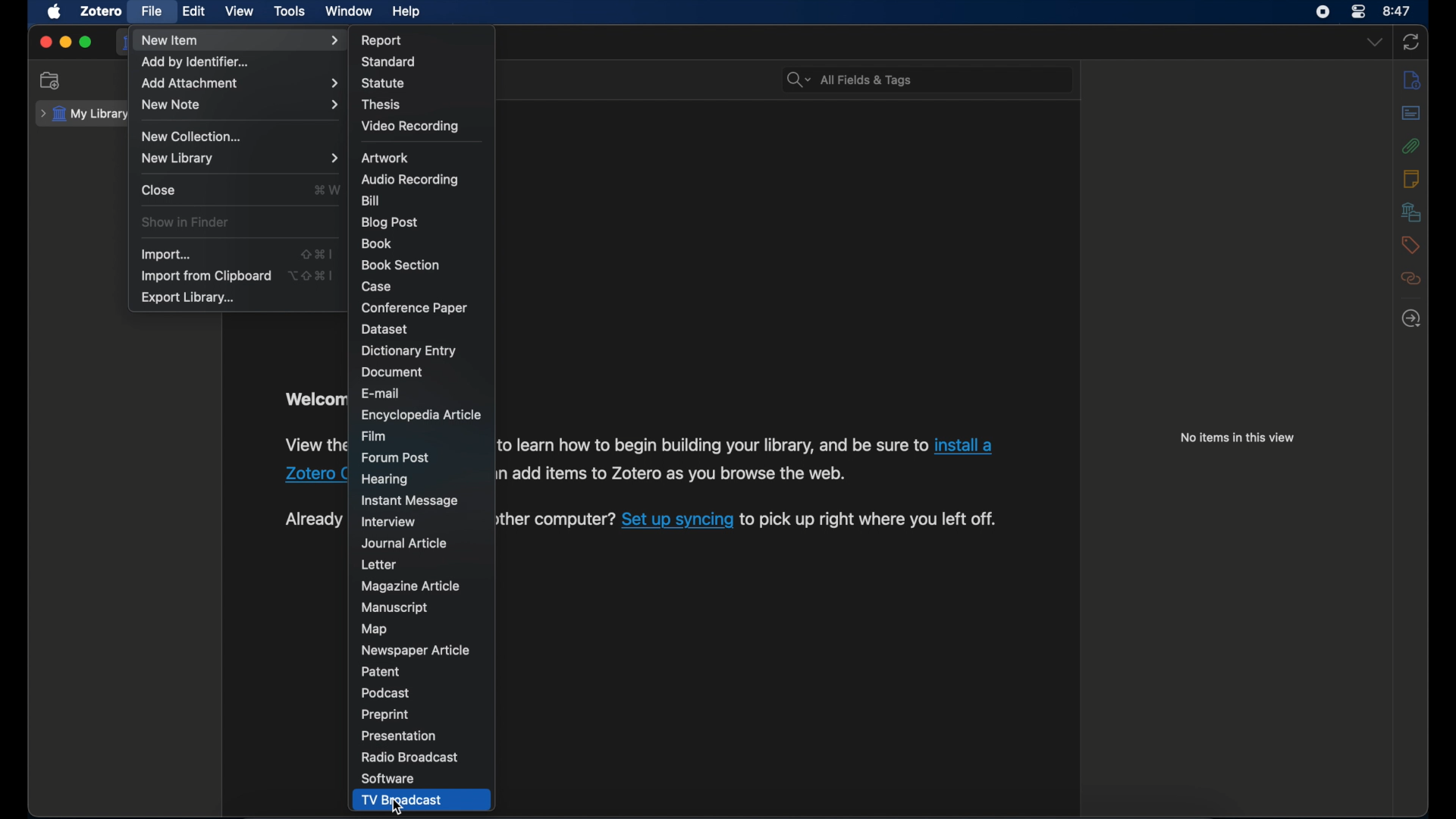 The image size is (1456, 819). Describe the element at coordinates (378, 244) in the screenshot. I see `book` at that location.